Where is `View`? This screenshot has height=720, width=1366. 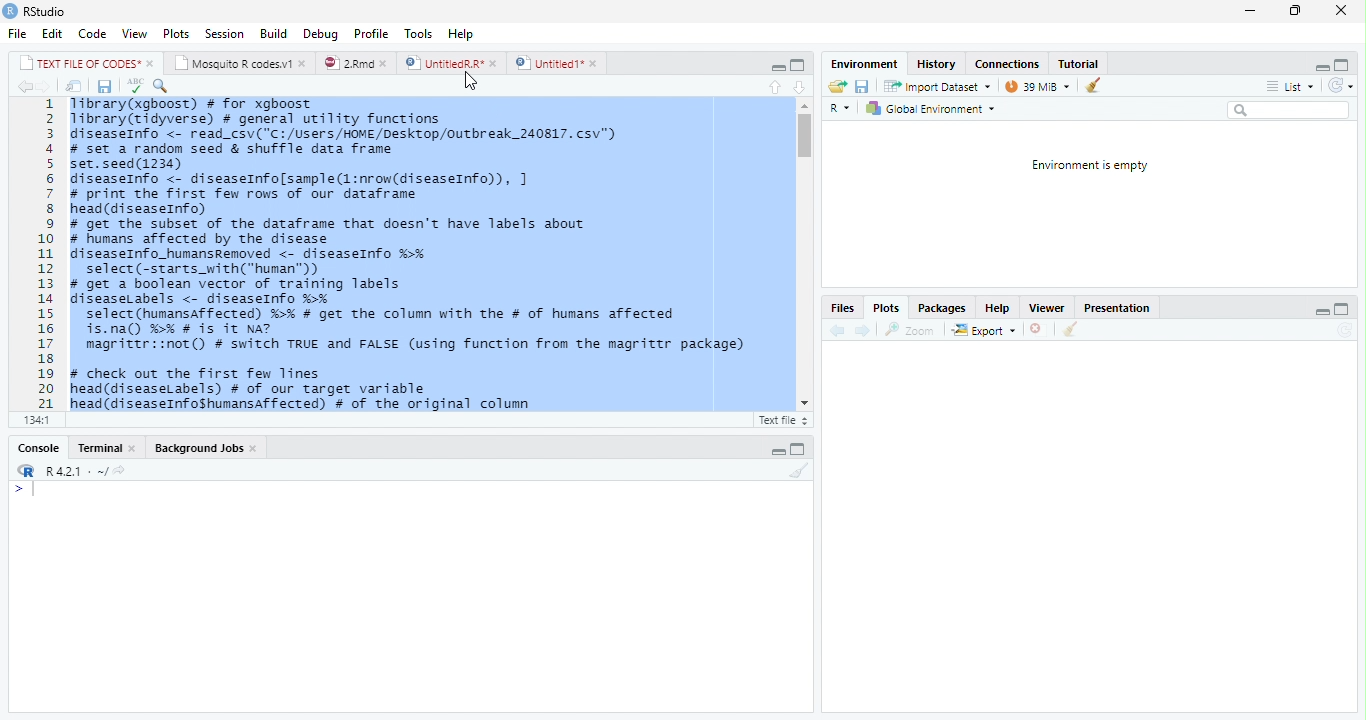
View is located at coordinates (134, 34).